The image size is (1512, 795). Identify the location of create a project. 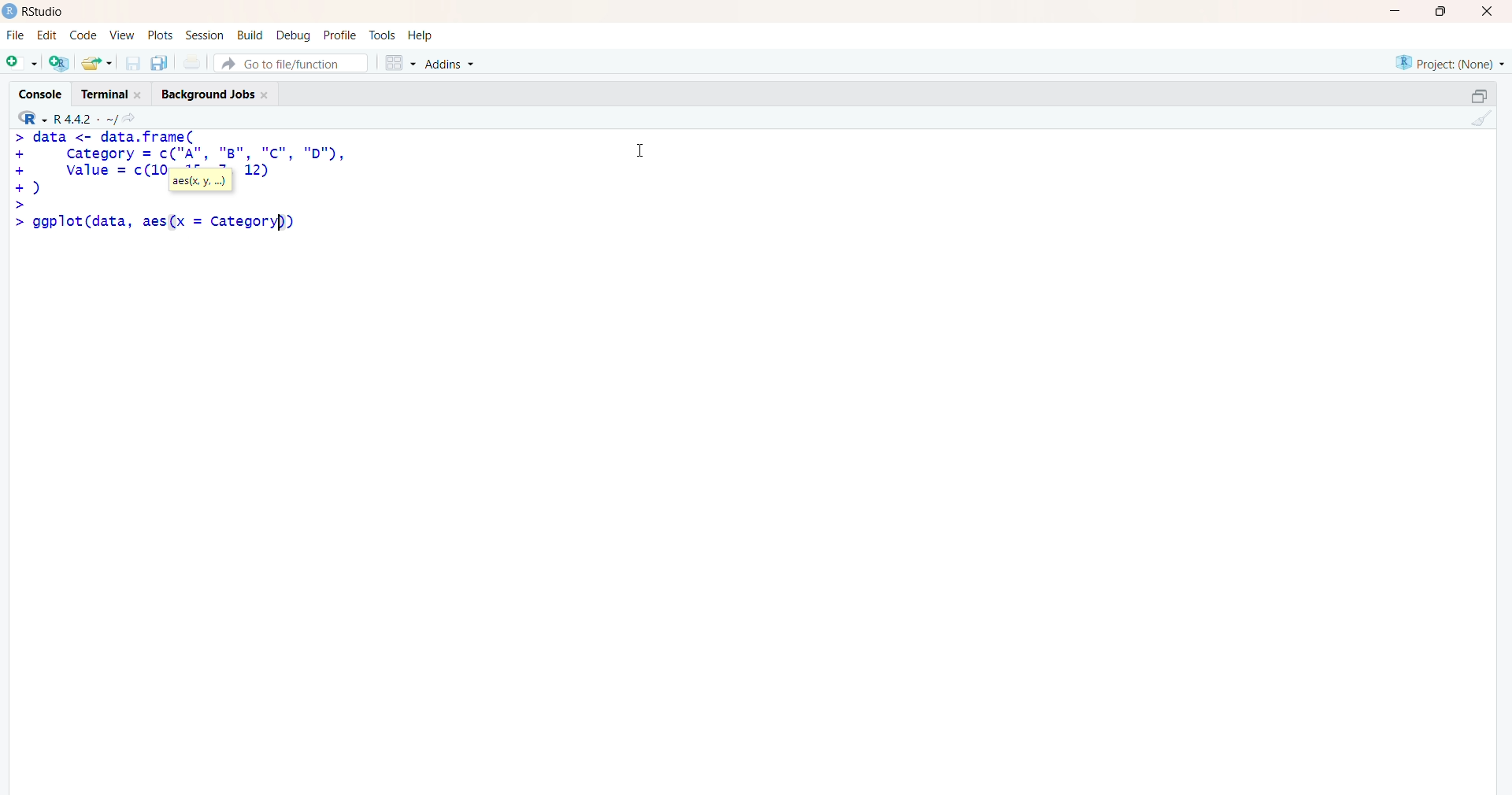
(58, 62).